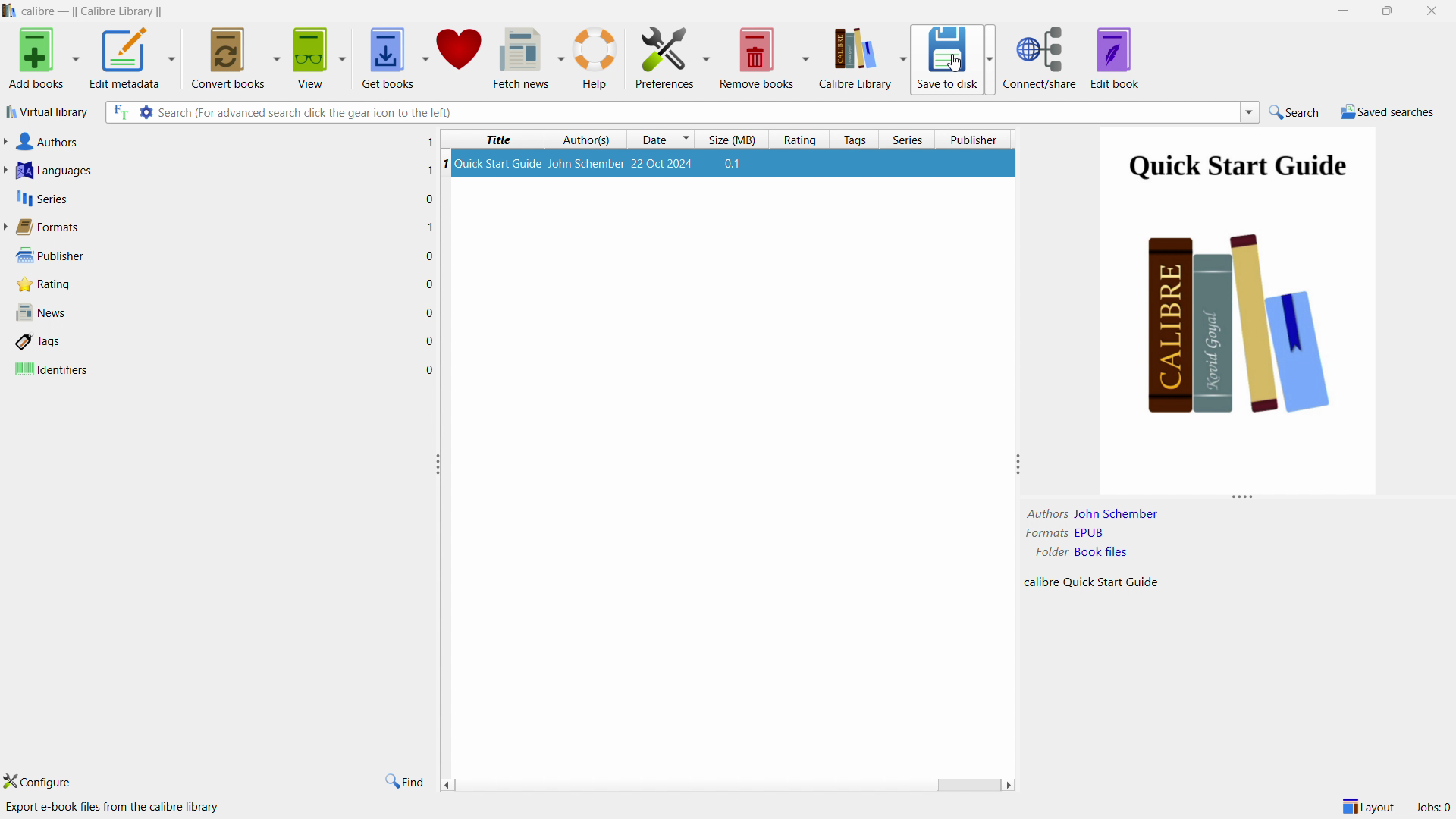 Image resolution: width=1456 pixels, height=819 pixels. Describe the element at coordinates (431, 286) in the screenshot. I see `0` at that location.